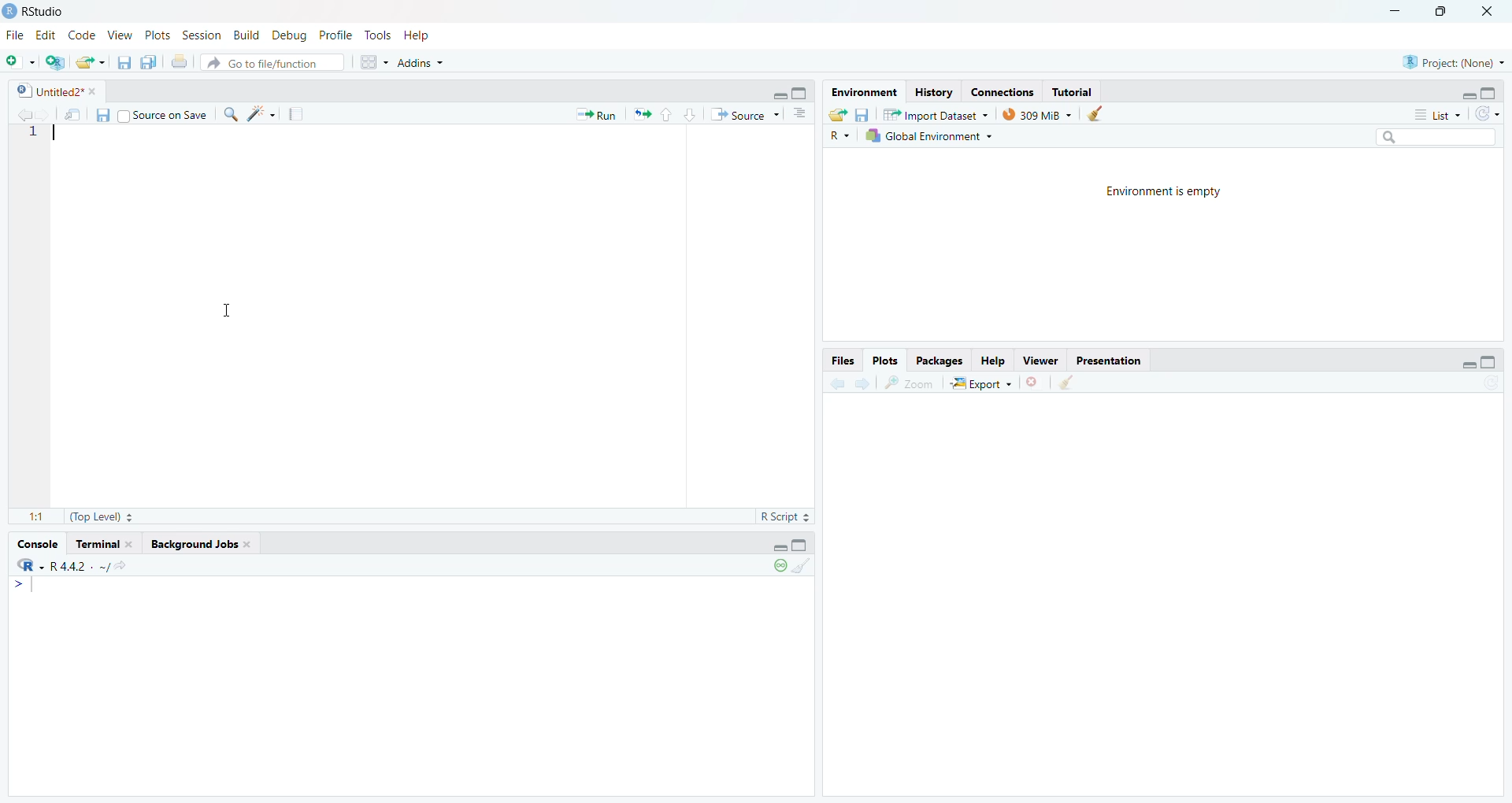  What do you see at coordinates (41, 140) in the screenshot?
I see `1` at bounding box center [41, 140].